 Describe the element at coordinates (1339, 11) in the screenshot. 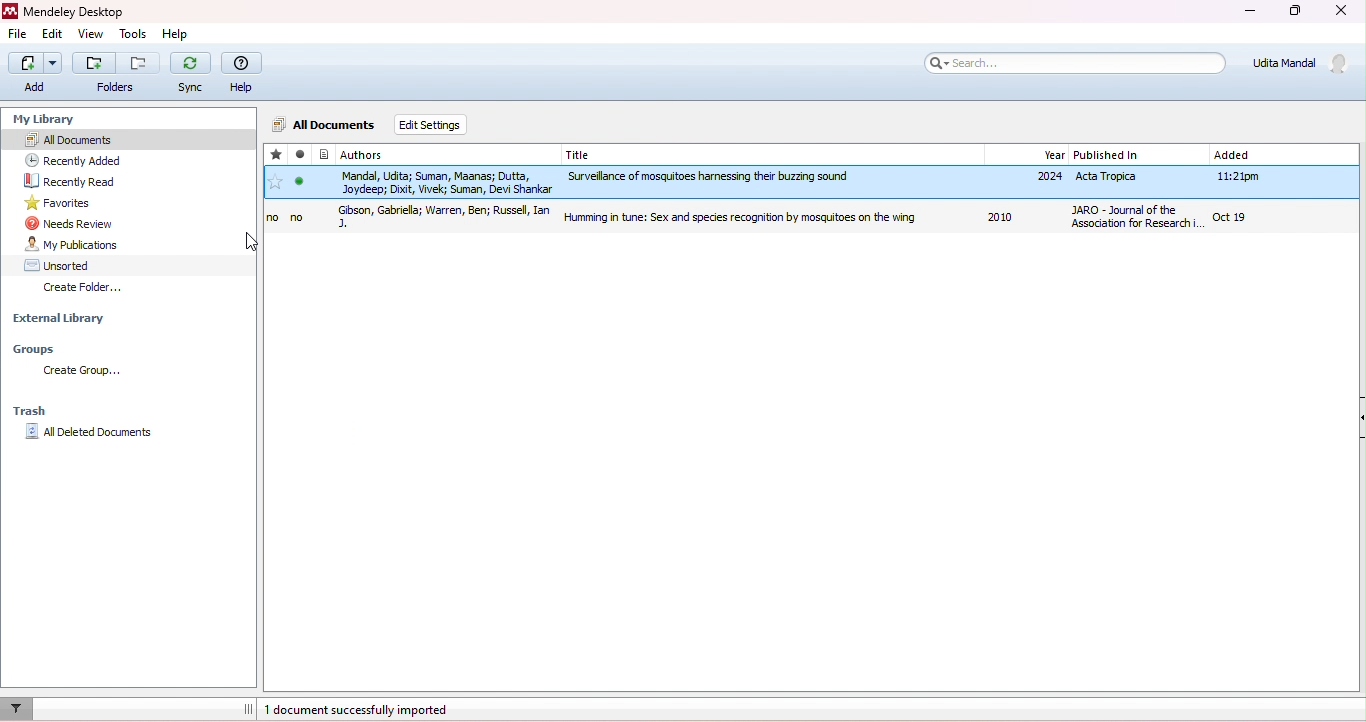

I see `close` at that location.